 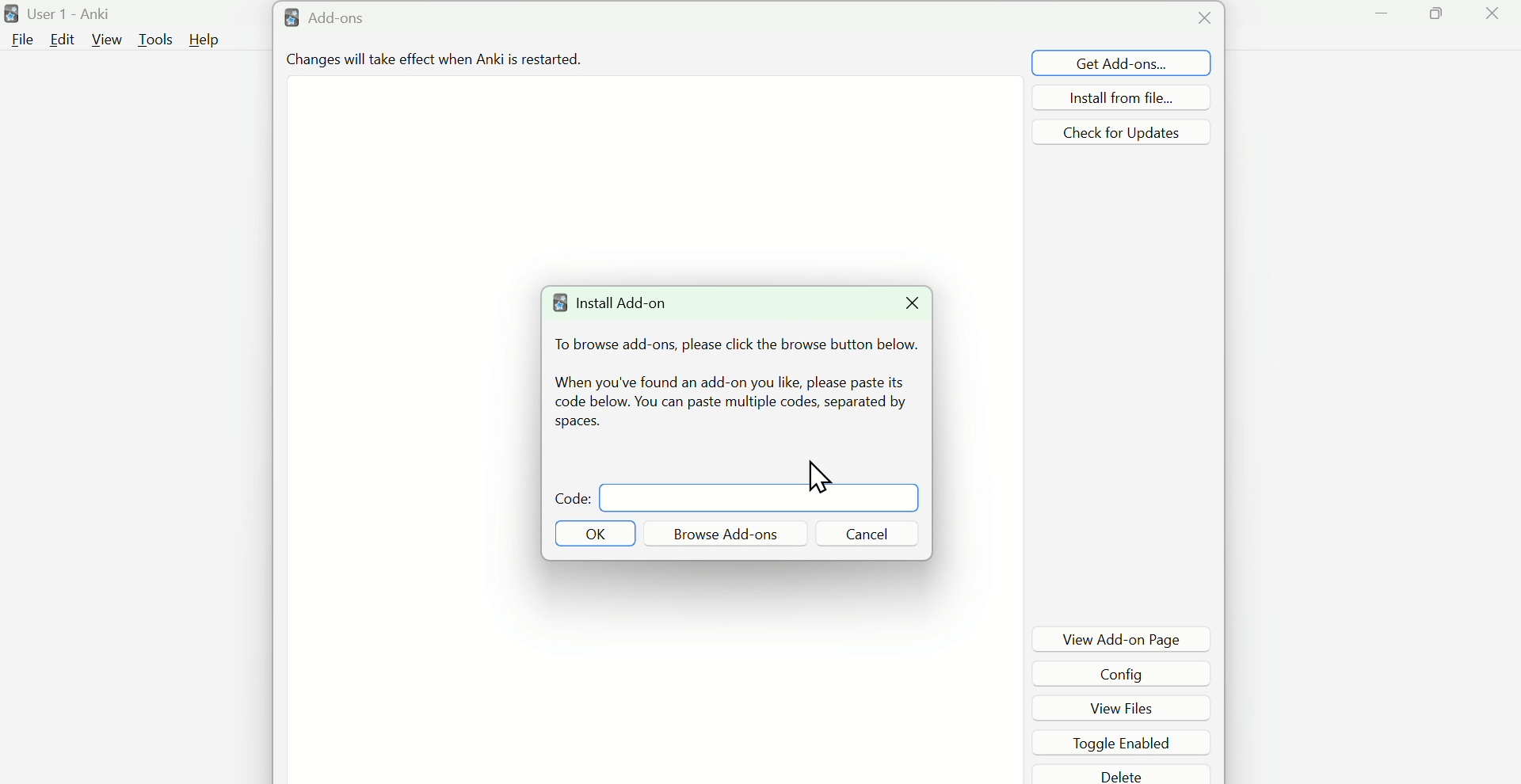 I want to click on Close, so click(x=908, y=304).